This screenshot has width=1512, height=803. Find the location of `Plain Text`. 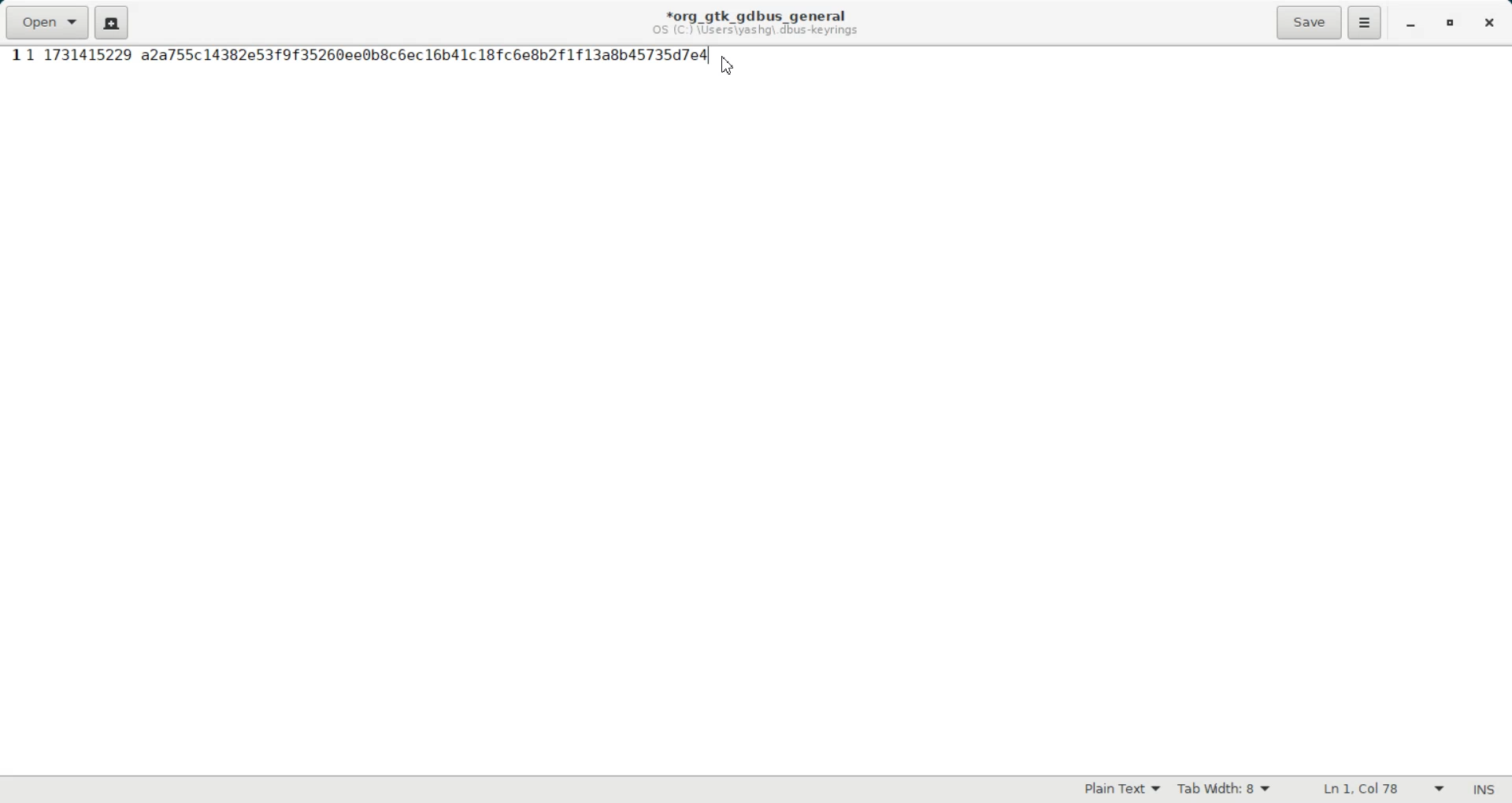

Plain Text is located at coordinates (1122, 790).